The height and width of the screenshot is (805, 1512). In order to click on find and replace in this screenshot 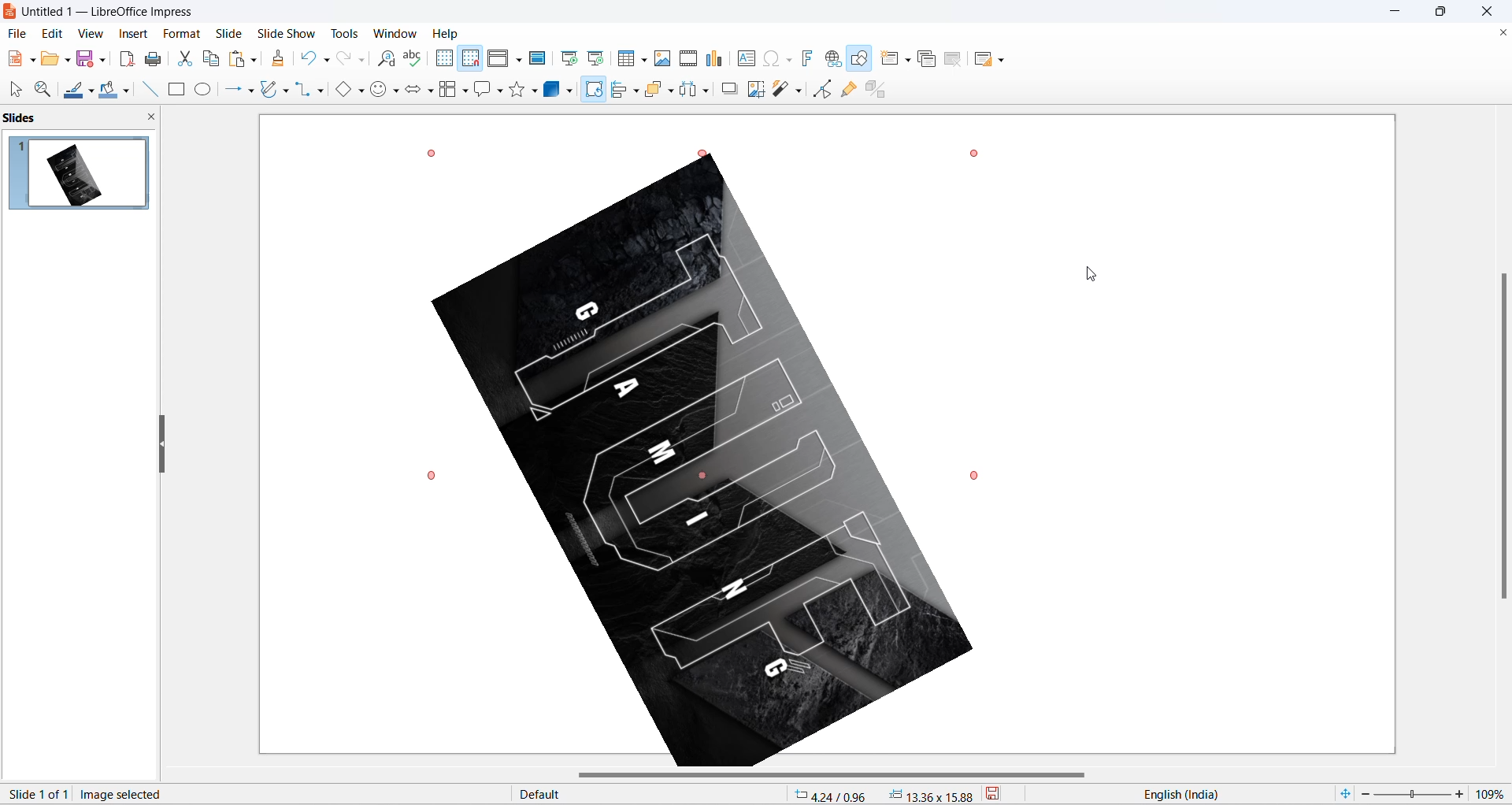, I will do `click(389, 59)`.